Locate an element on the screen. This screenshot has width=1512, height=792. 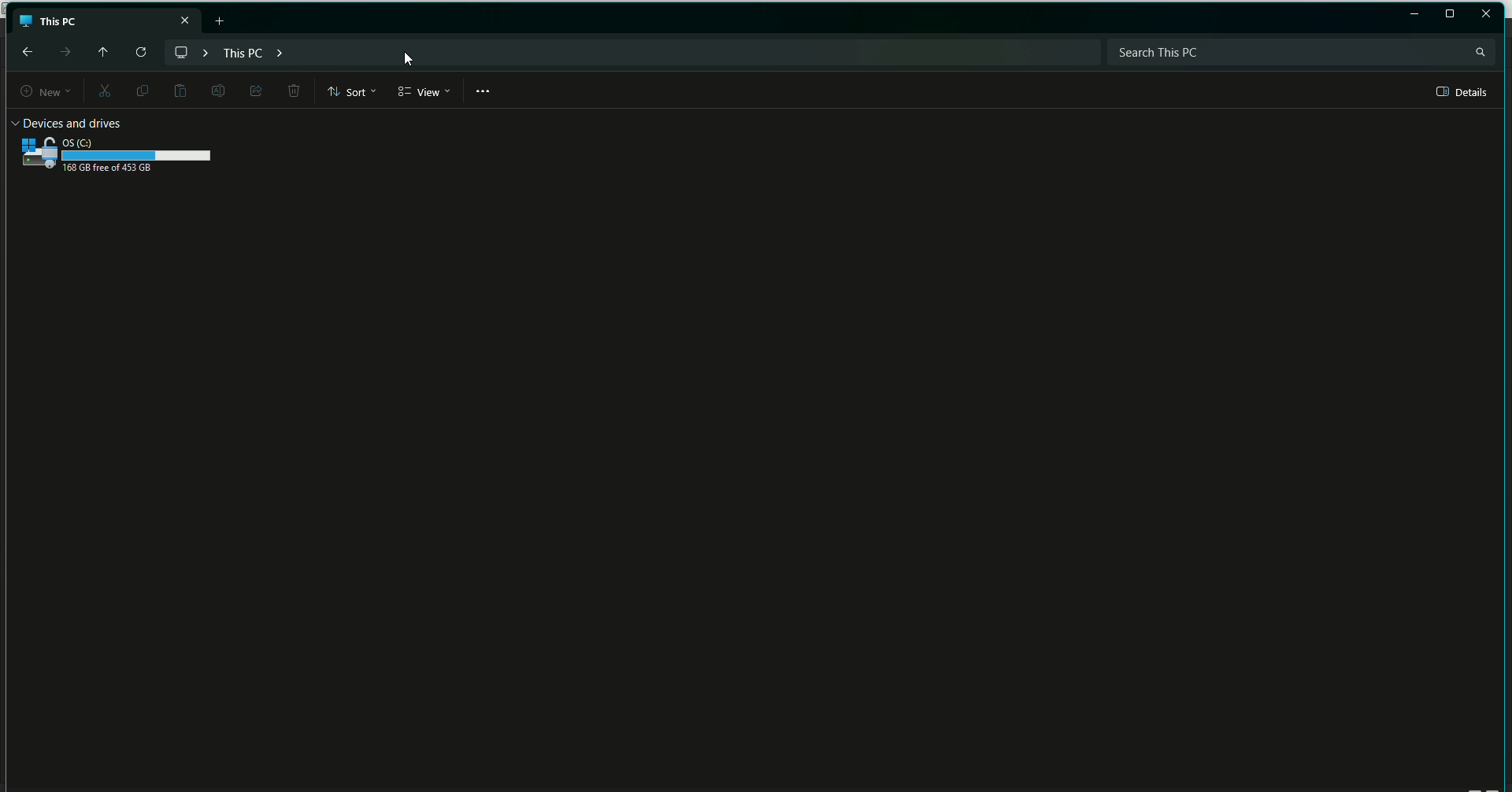
Cursor is located at coordinates (408, 61).